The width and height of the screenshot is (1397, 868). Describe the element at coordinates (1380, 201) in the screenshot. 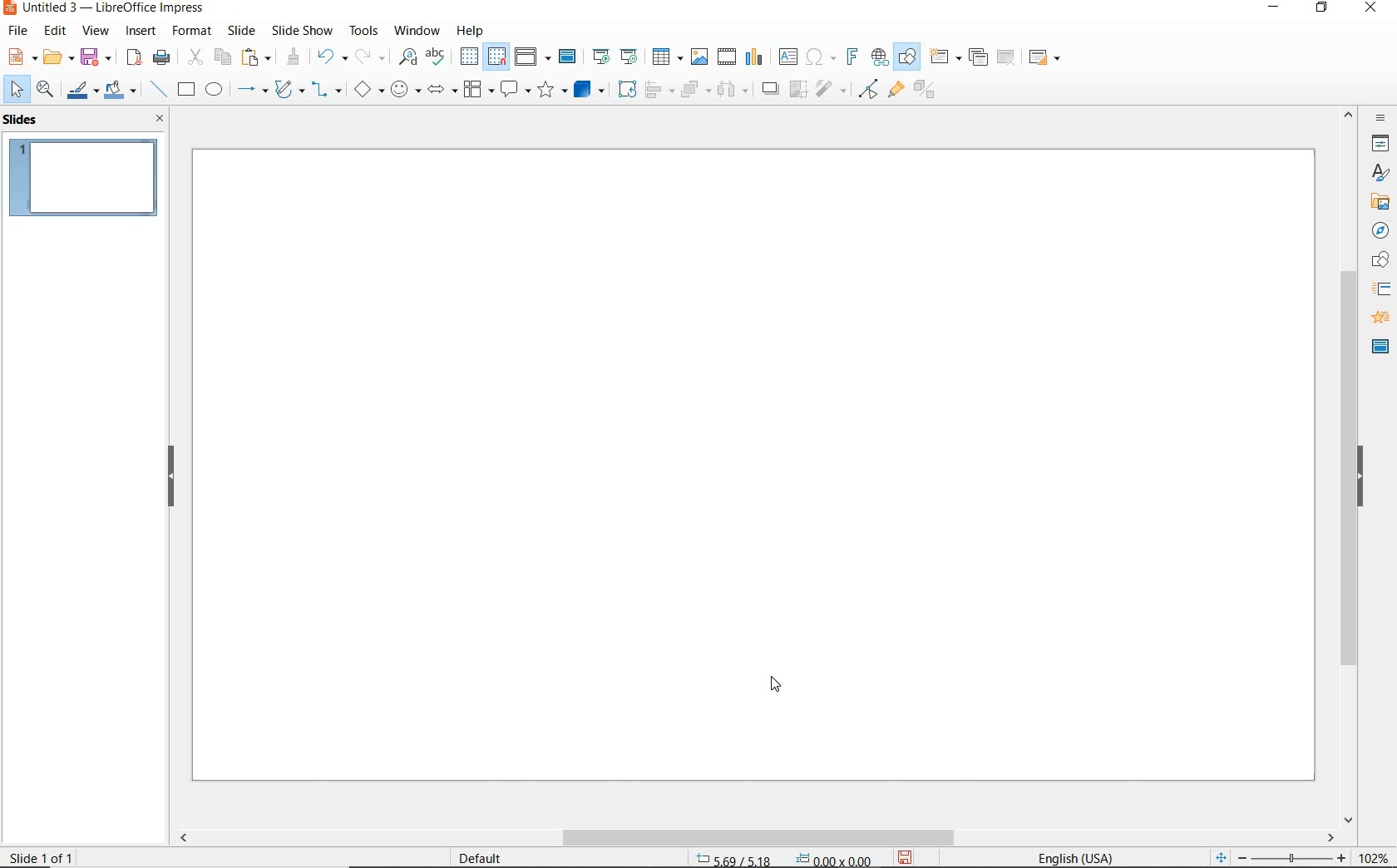

I see `GALLERY` at that location.